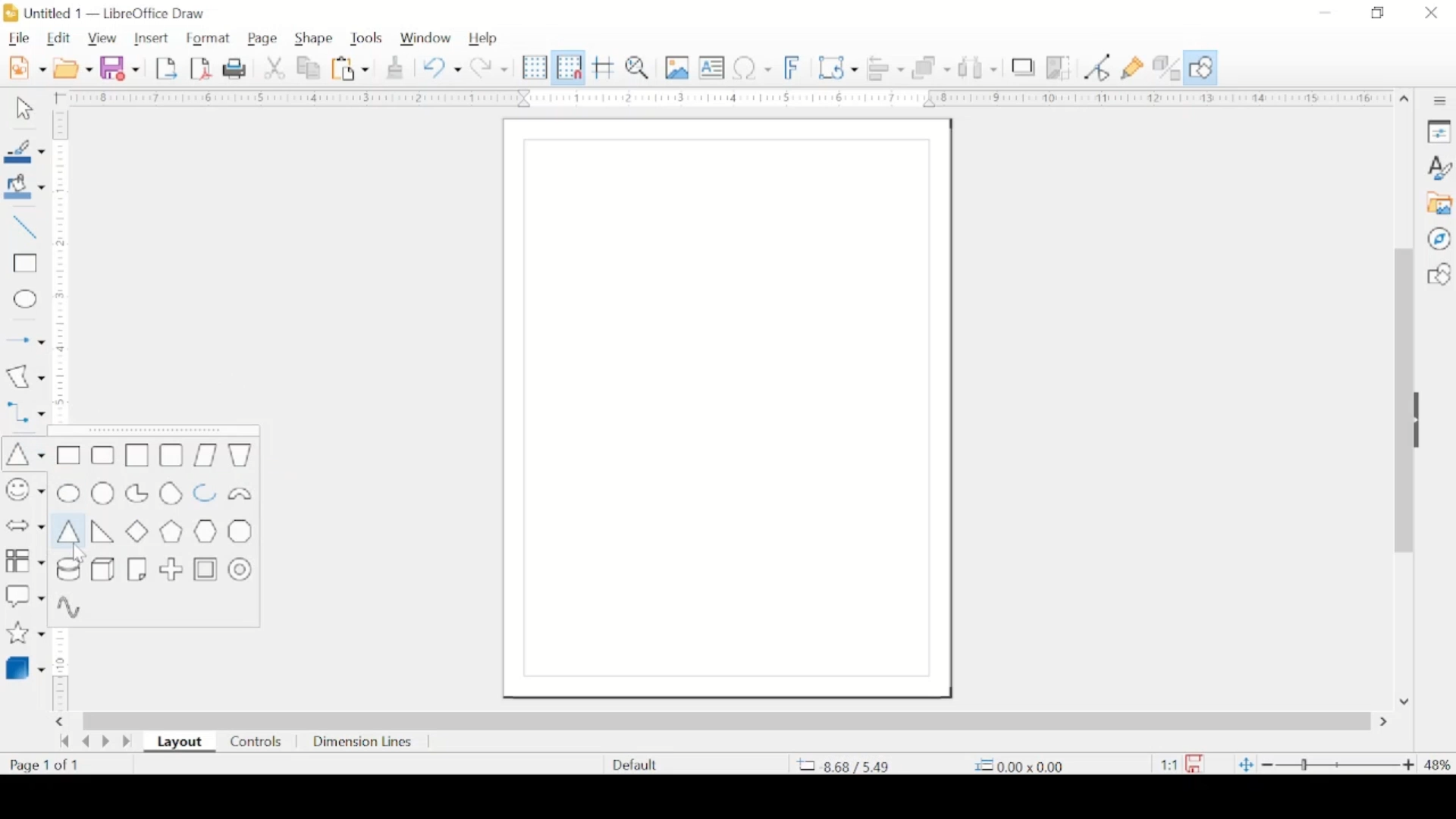 Image resolution: width=1456 pixels, height=819 pixels. I want to click on scroll box, so click(1400, 403).